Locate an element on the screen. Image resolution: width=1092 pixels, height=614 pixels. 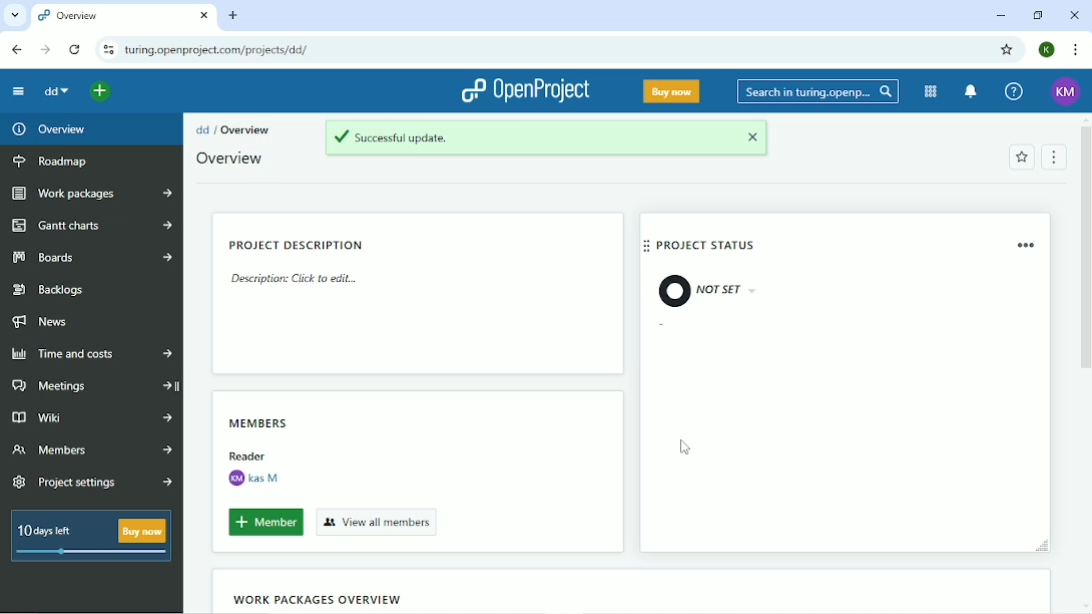
Work packages is located at coordinates (93, 194).